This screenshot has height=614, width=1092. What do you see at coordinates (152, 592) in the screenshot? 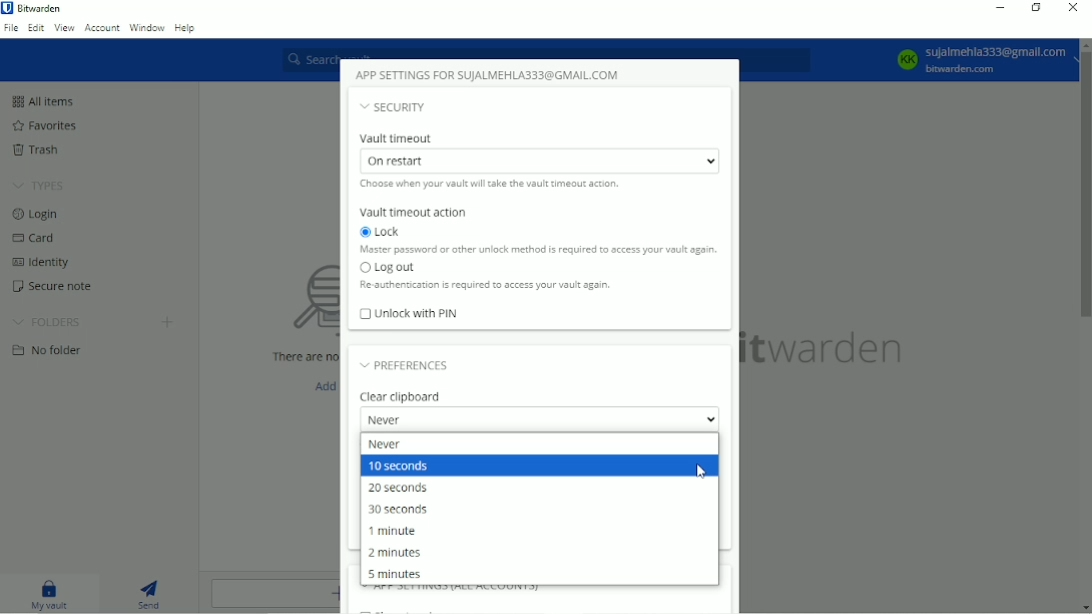
I see `Send` at bounding box center [152, 592].